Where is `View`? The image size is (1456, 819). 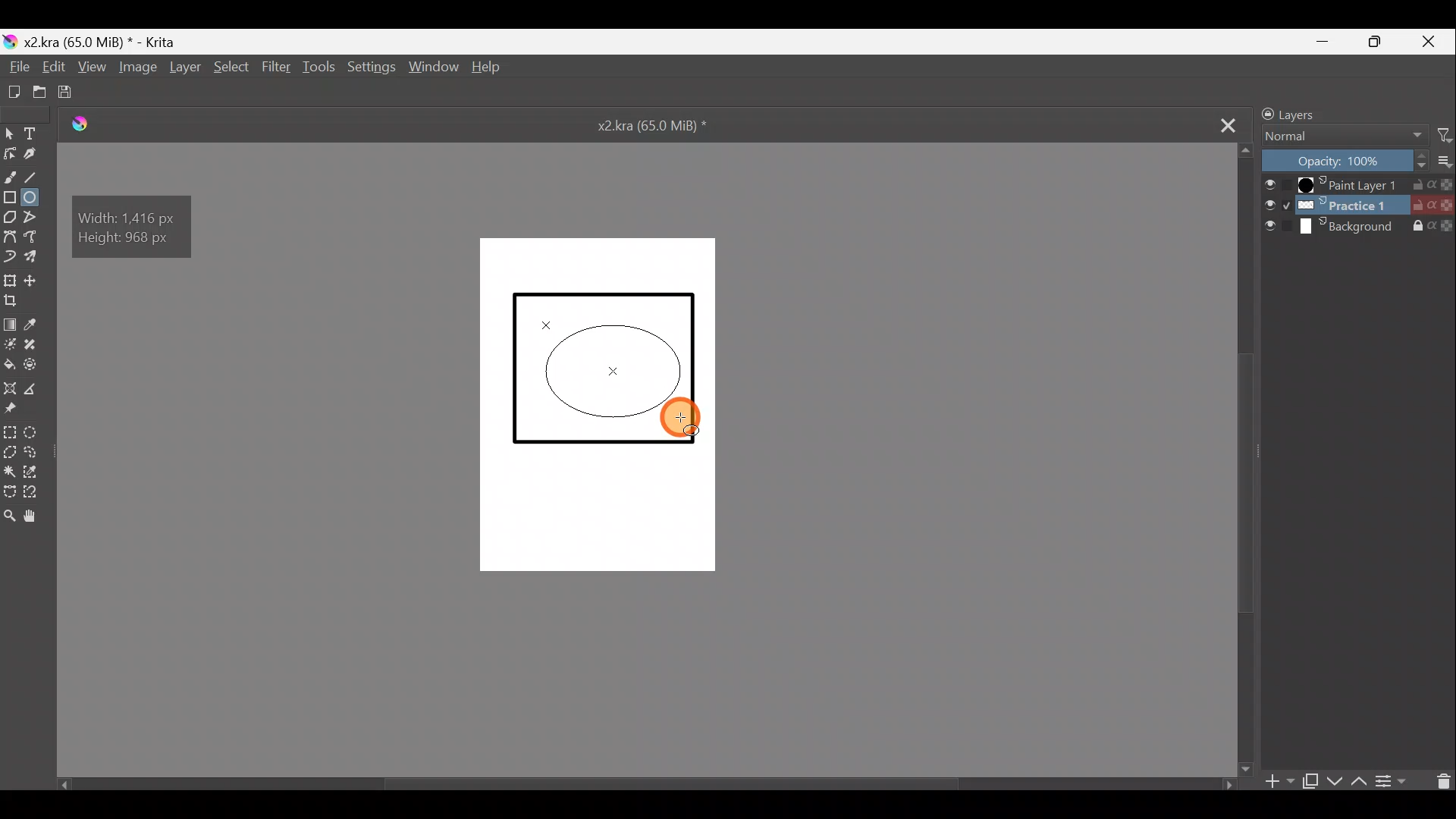
View is located at coordinates (95, 68).